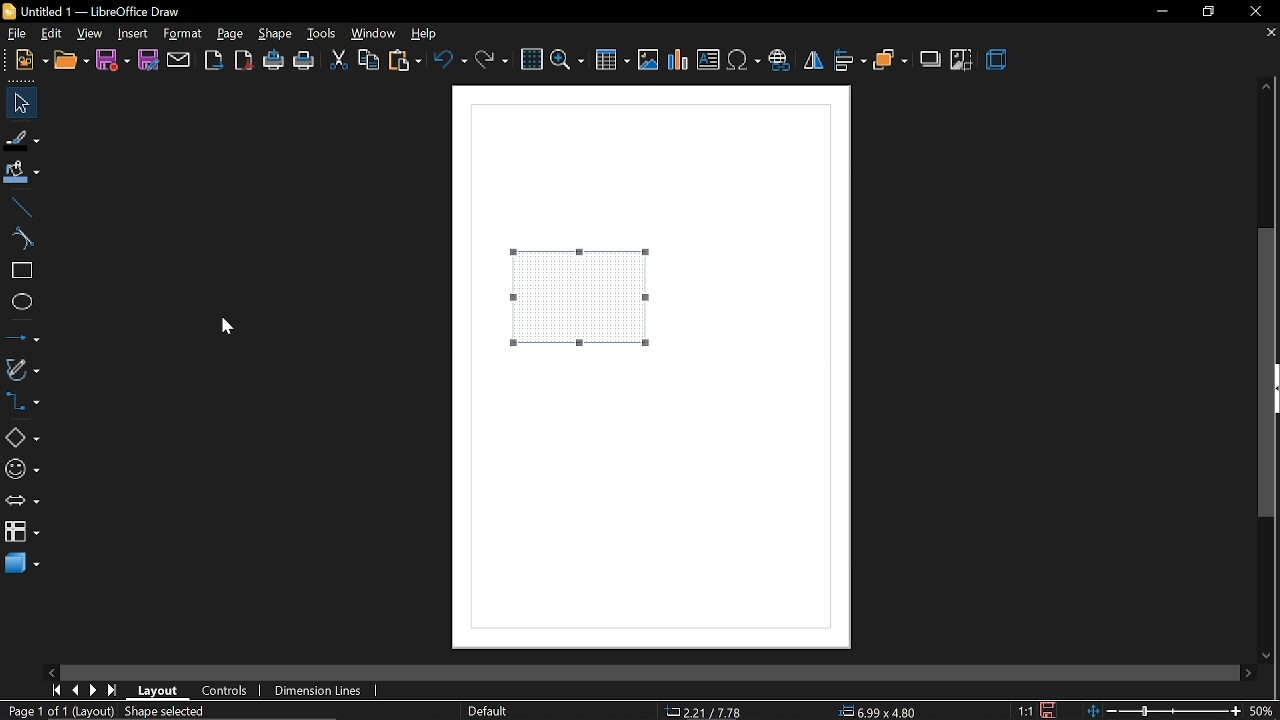 The image size is (1280, 720). I want to click on fill line, so click(21, 137).